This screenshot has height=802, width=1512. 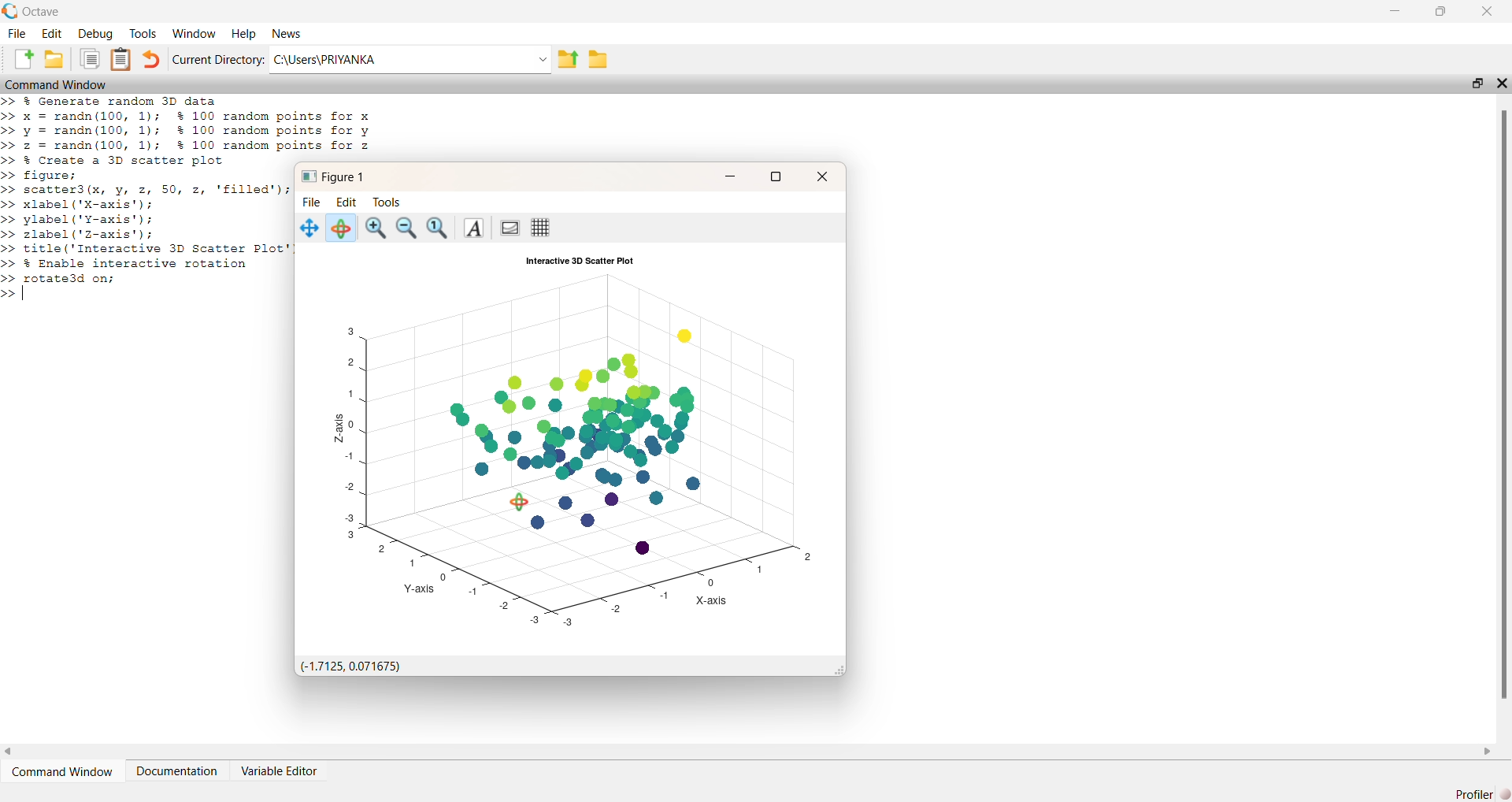 What do you see at coordinates (339, 228) in the screenshot?
I see `rotate` at bounding box center [339, 228].